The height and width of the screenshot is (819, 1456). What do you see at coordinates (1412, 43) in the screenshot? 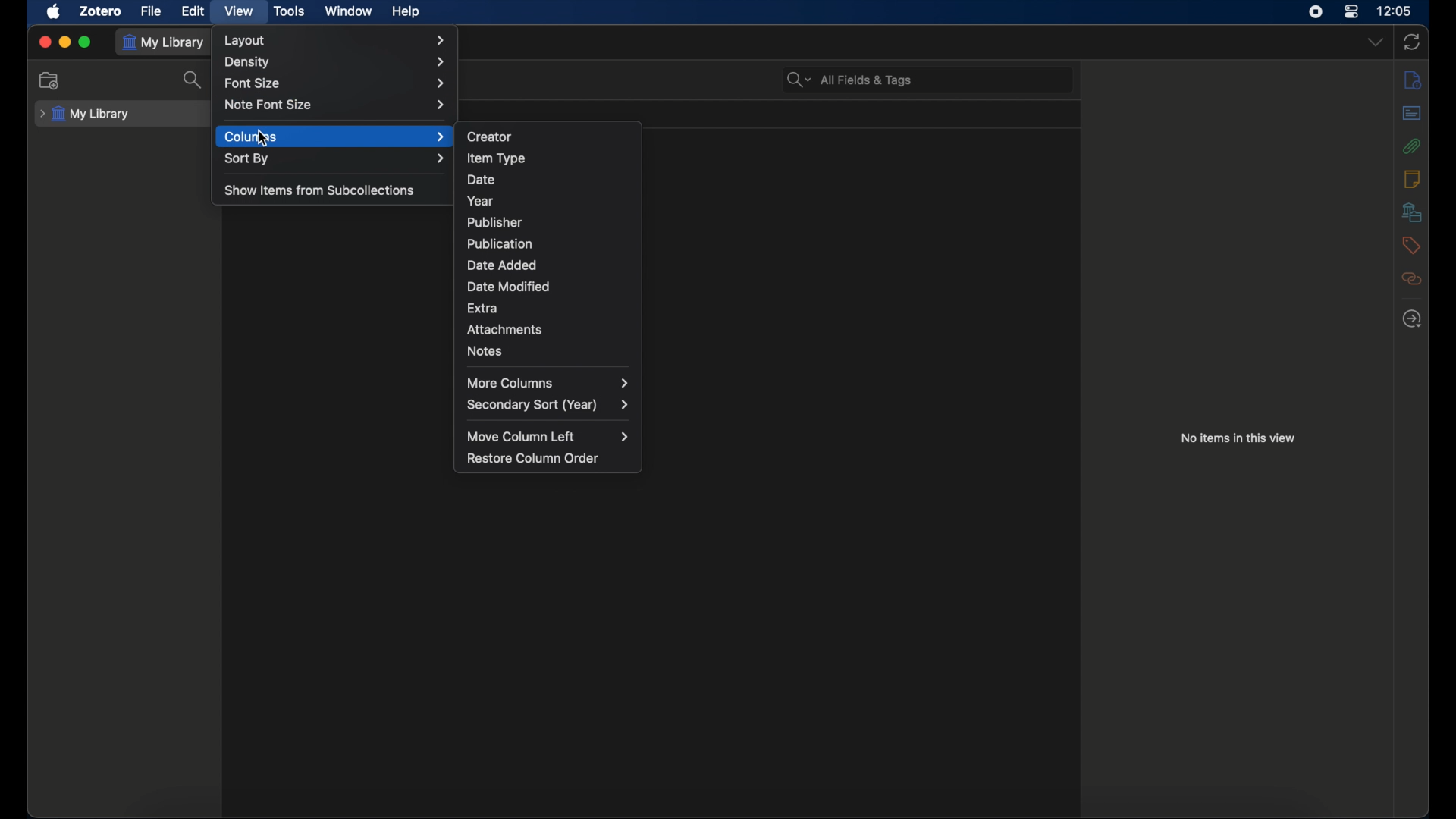
I see `sync` at bounding box center [1412, 43].